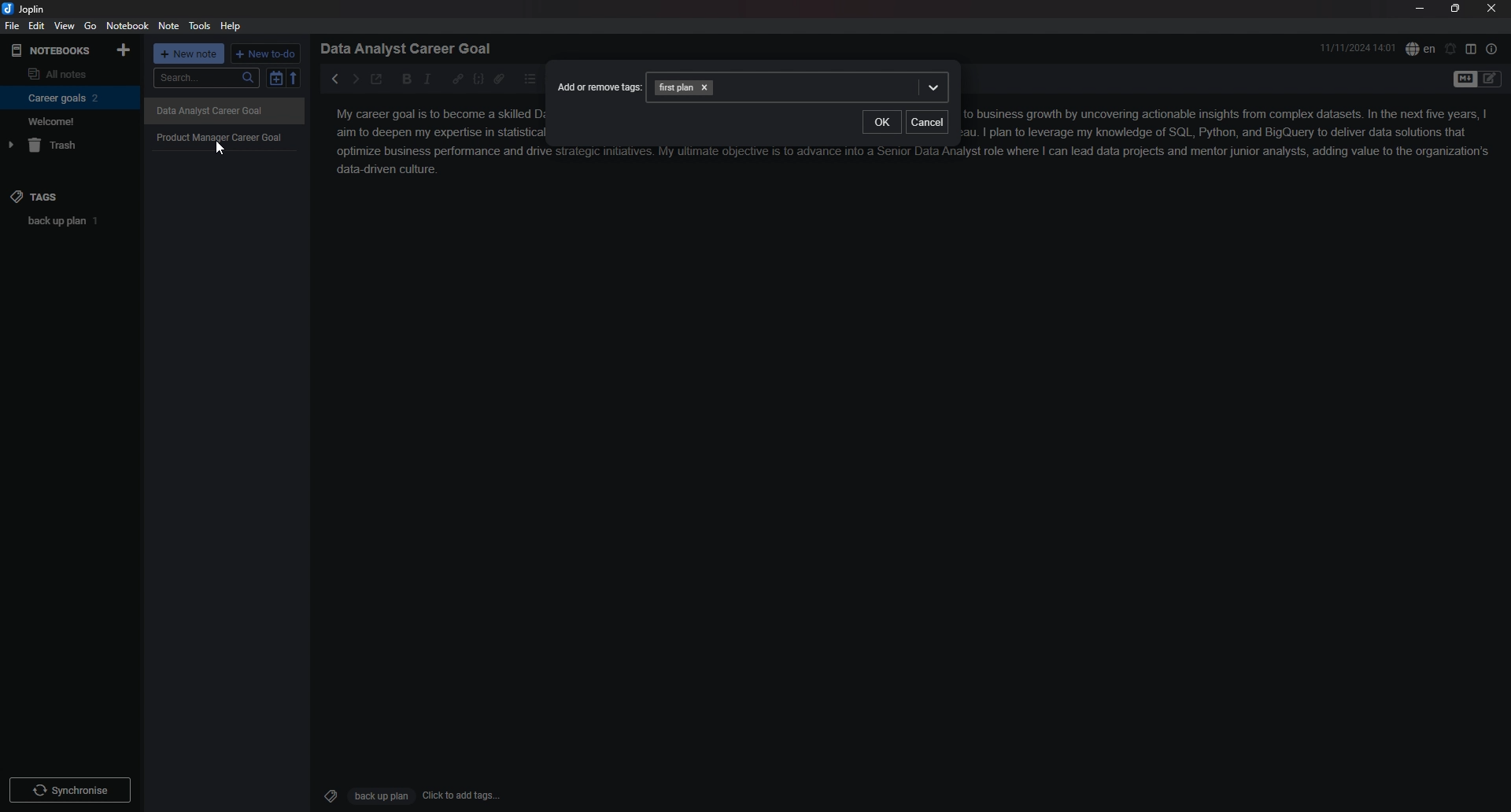 The height and width of the screenshot is (812, 1511). I want to click on go, so click(91, 26).